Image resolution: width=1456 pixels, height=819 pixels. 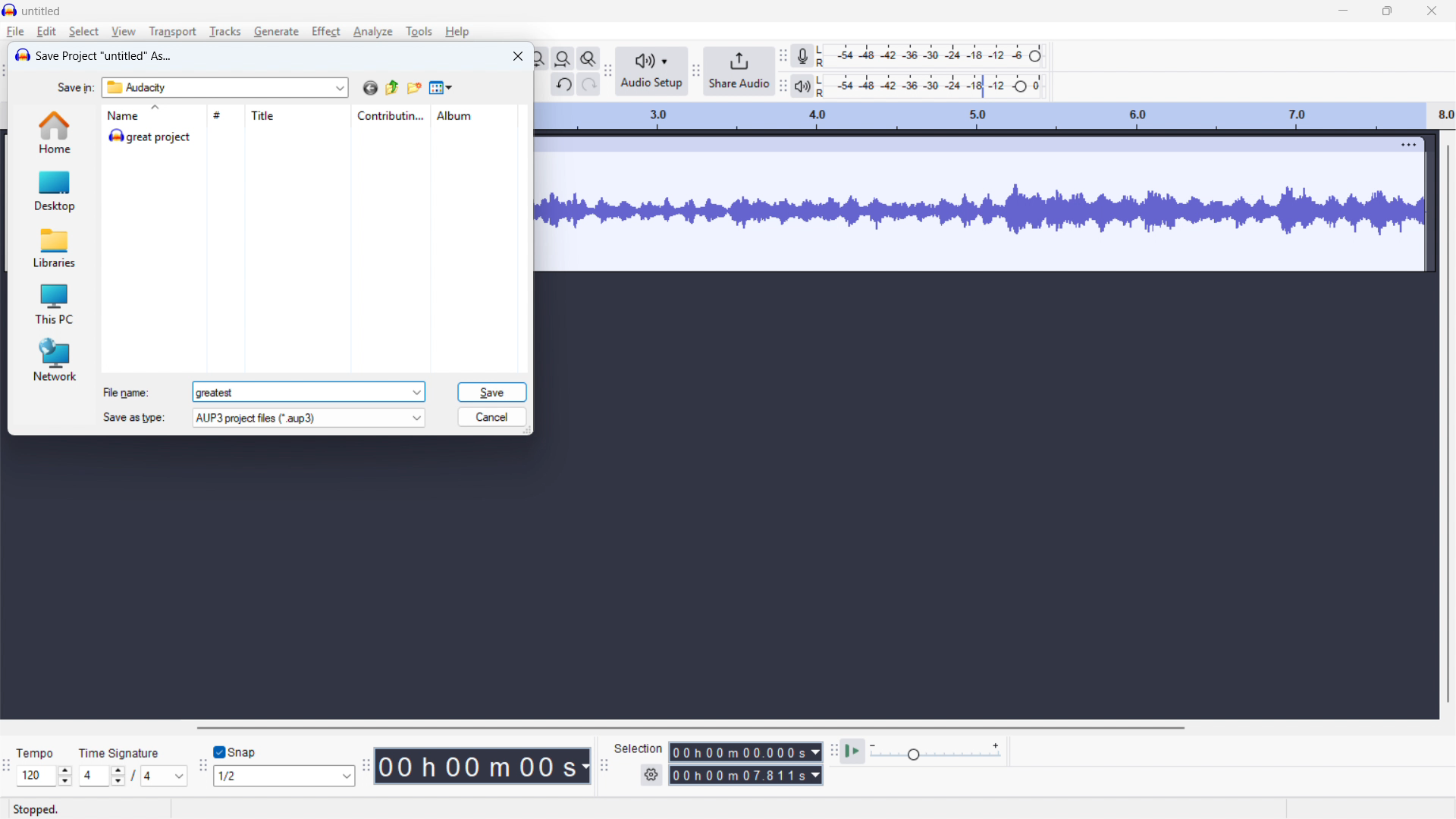 I want to click on select, so click(x=83, y=32).